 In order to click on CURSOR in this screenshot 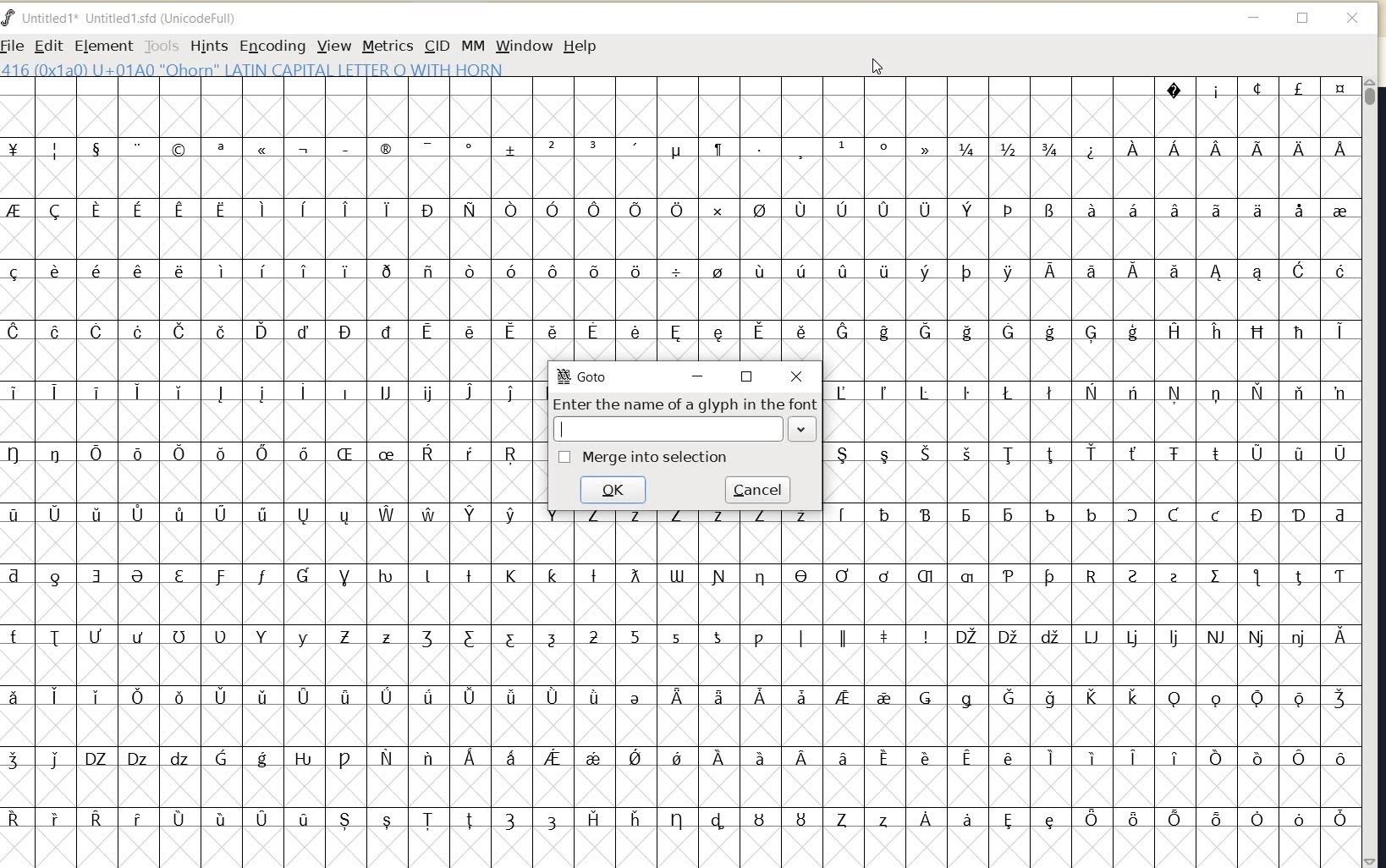, I will do `click(877, 66)`.